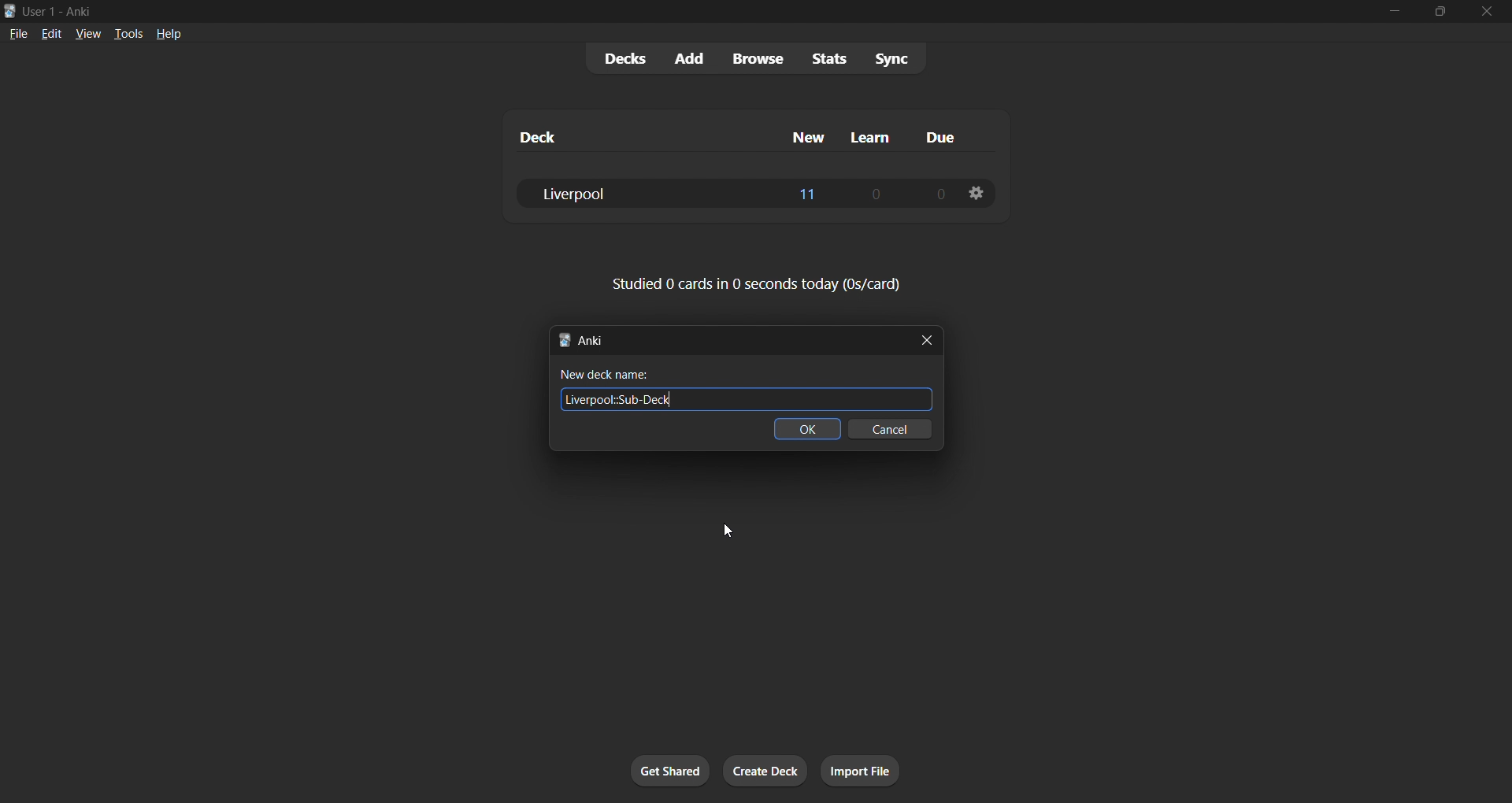  I want to click on get shared, so click(663, 772).